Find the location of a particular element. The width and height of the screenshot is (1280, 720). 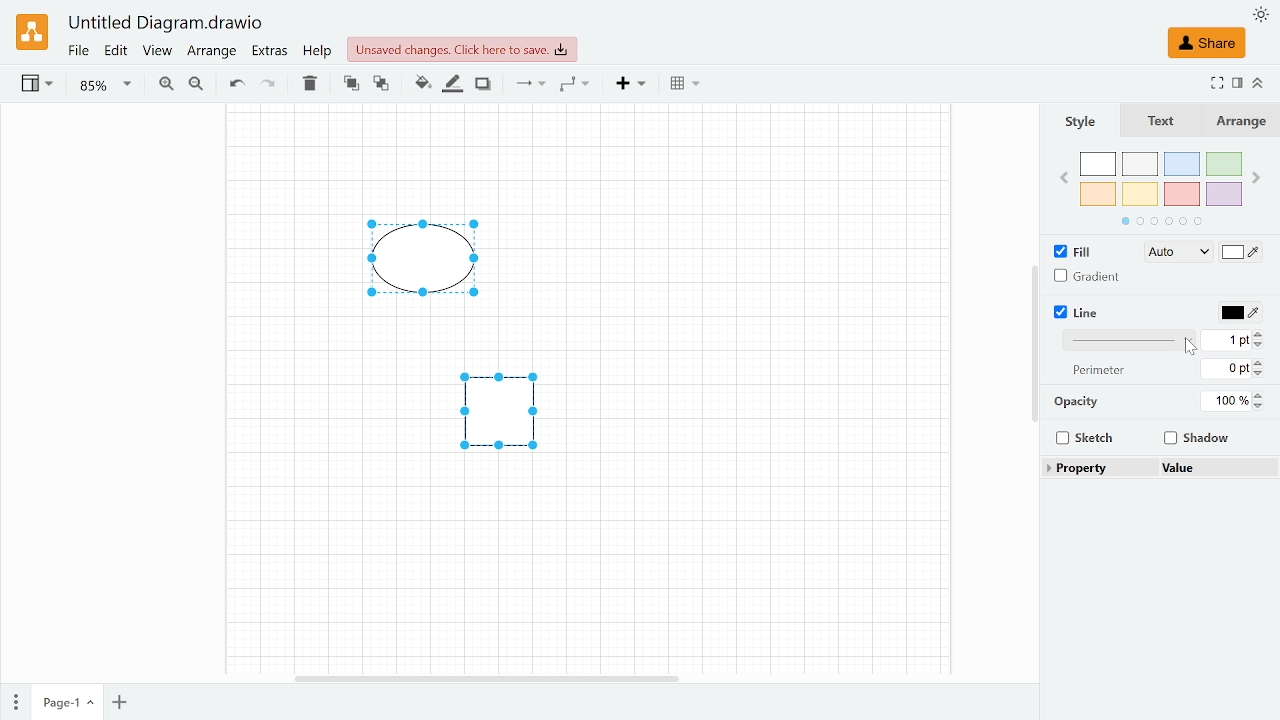

Vertical scrollbar is located at coordinates (1034, 343).